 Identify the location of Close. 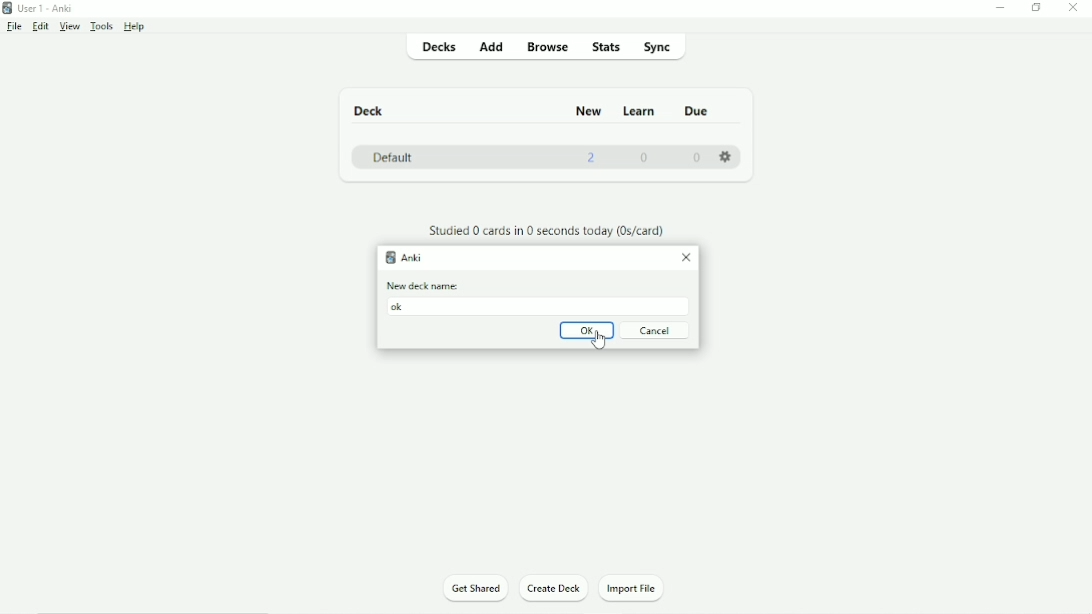
(686, 258).